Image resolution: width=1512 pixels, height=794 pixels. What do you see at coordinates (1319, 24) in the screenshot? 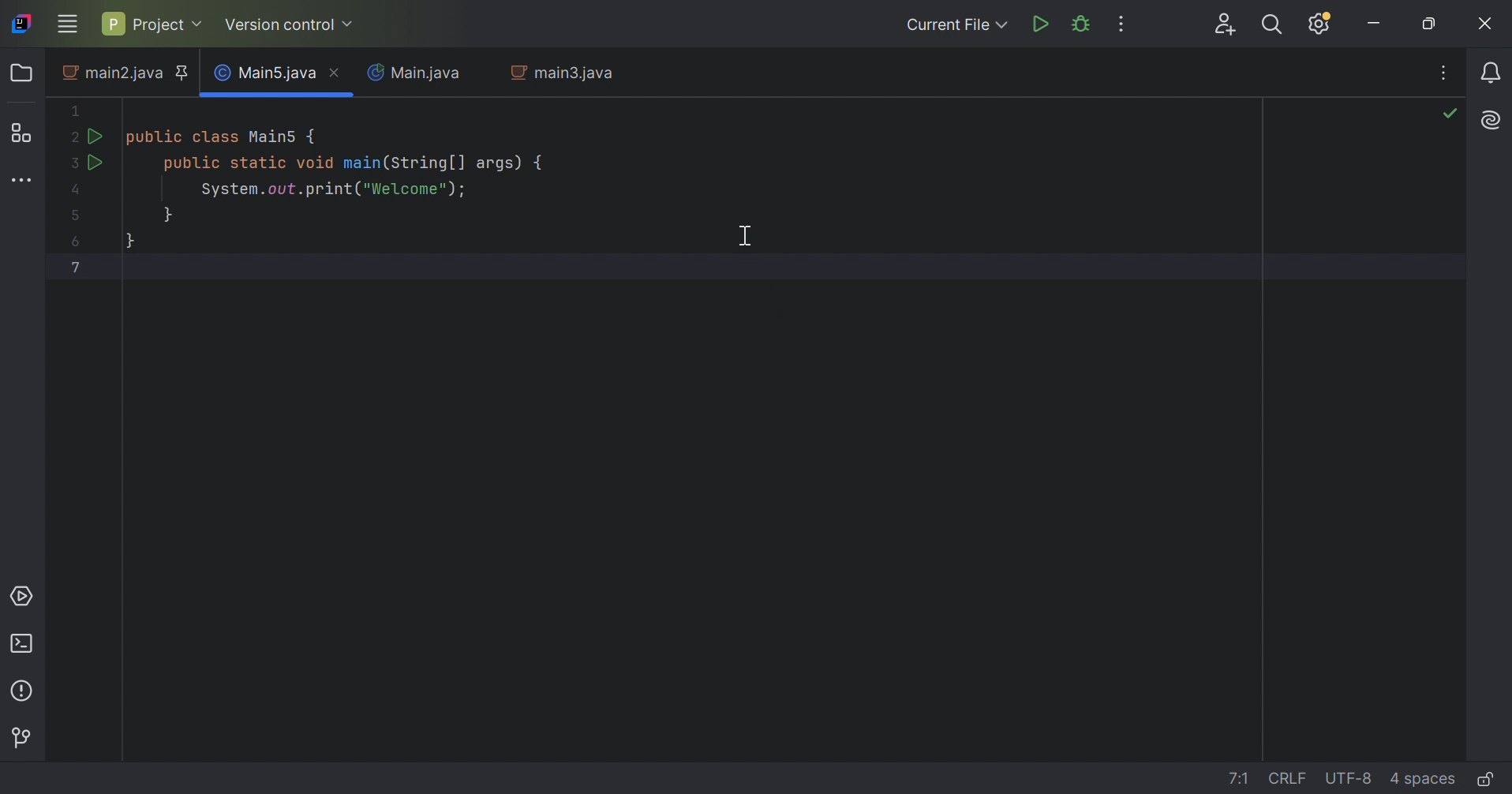
I see `Updates available. IDE and Project Settings.` at bounding box center [1319, 24].